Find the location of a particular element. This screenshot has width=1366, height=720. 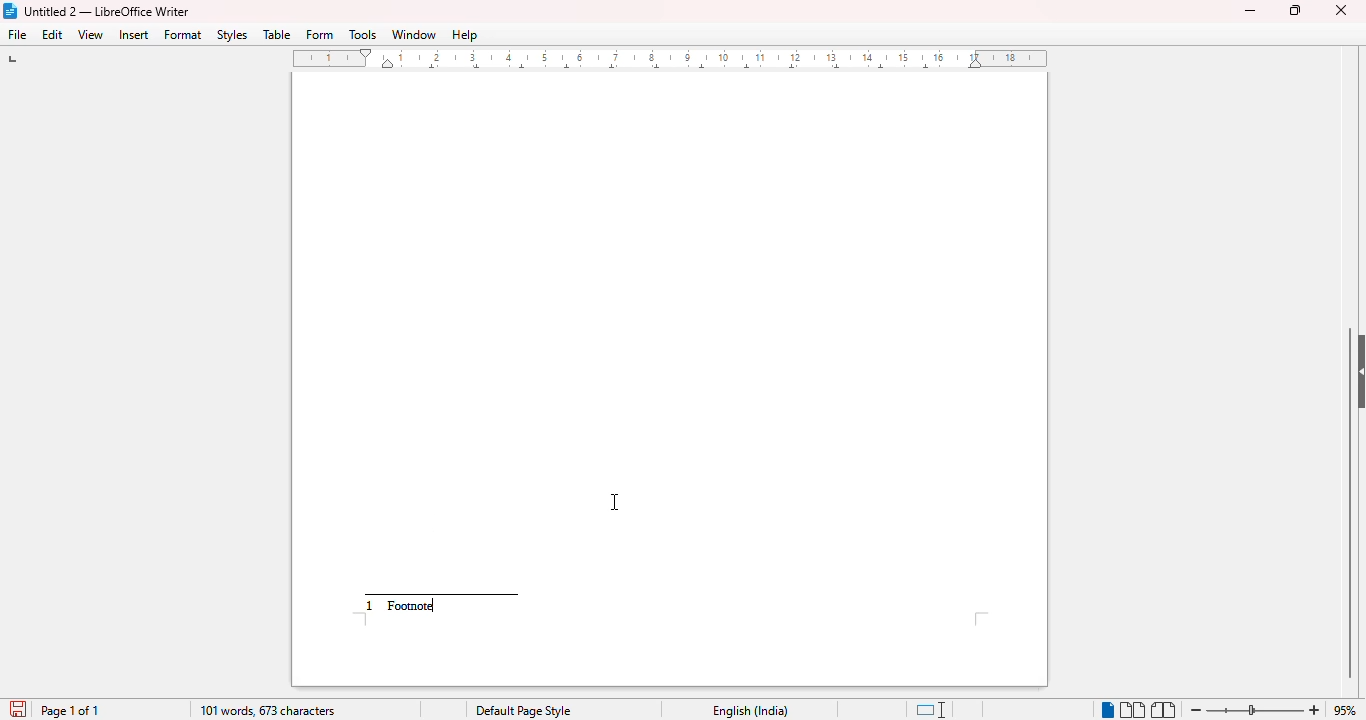

close is located at coordinates (1343, 9).